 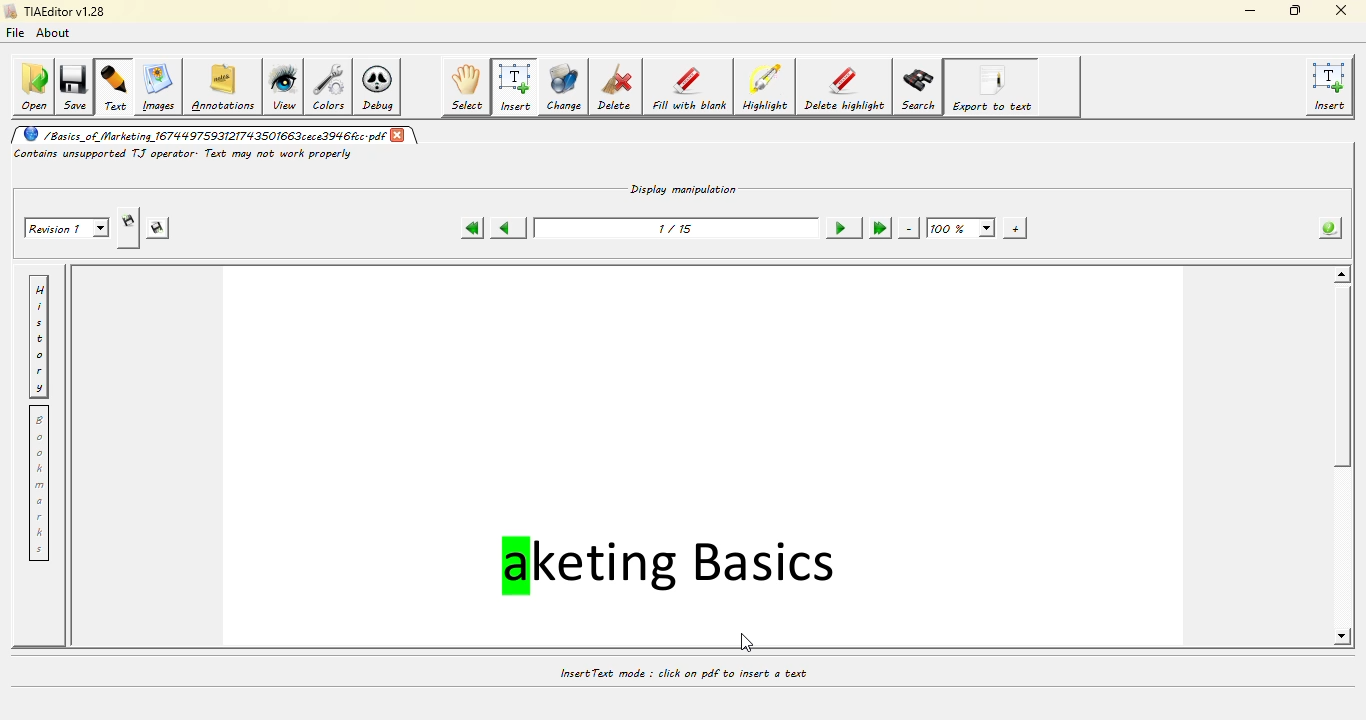 What do you see at coordinates (1339, 636) in the screenshot?
I see `scroll down` at bounding box center [1339, 636].